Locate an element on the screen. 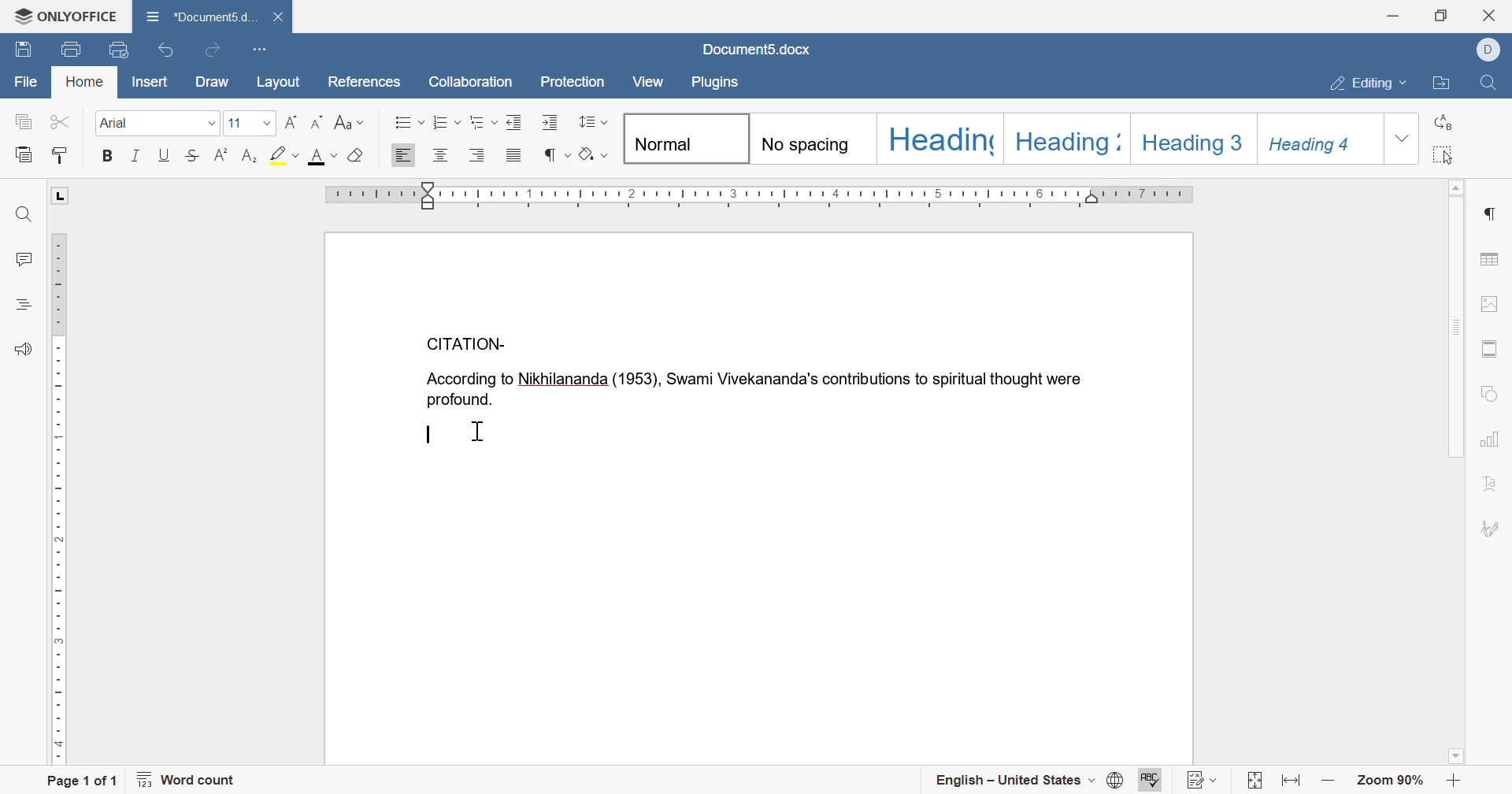  editing is located at coordinates (1365, 83).